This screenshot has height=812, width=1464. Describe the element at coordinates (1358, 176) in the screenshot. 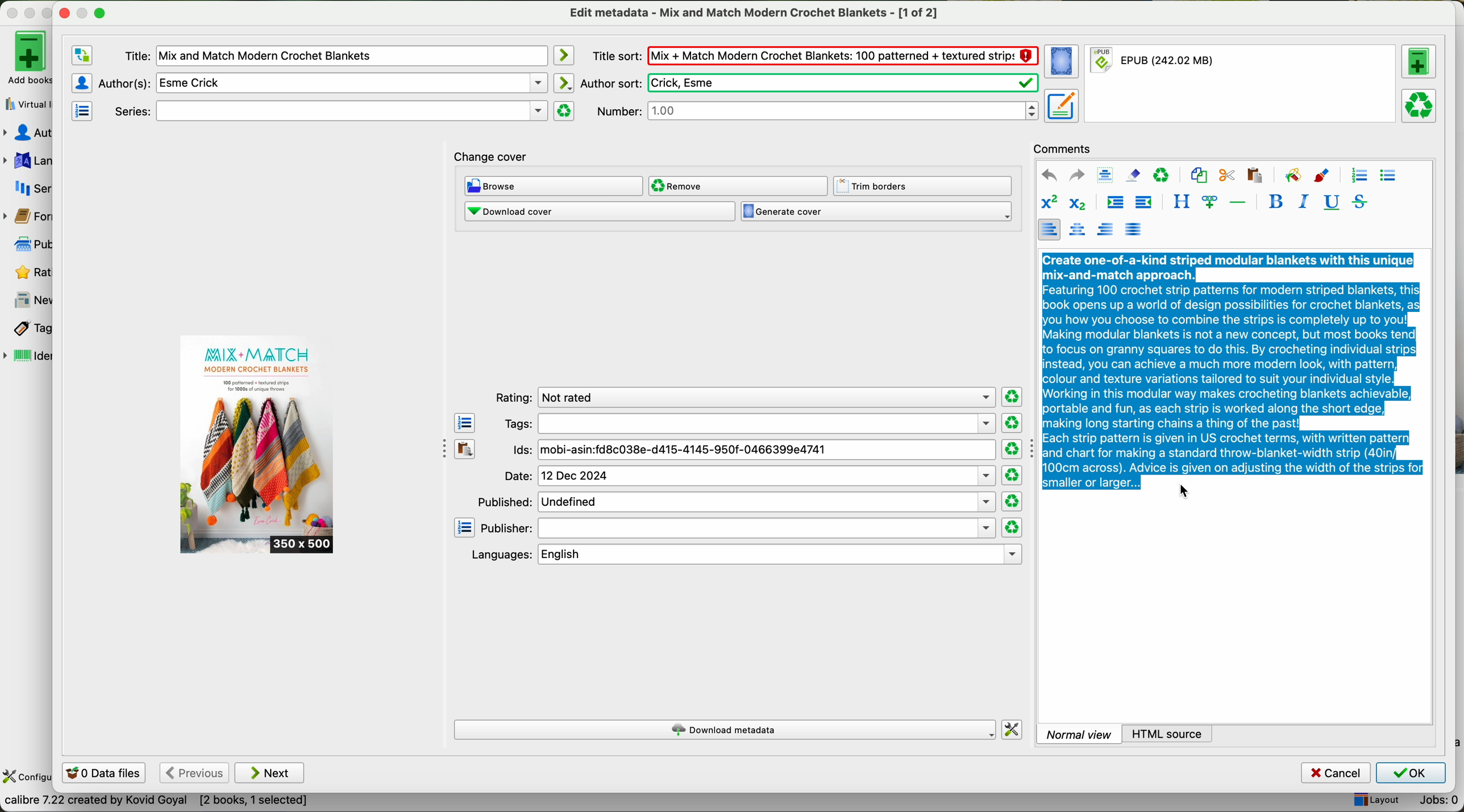

I see `ordered list` at that location.